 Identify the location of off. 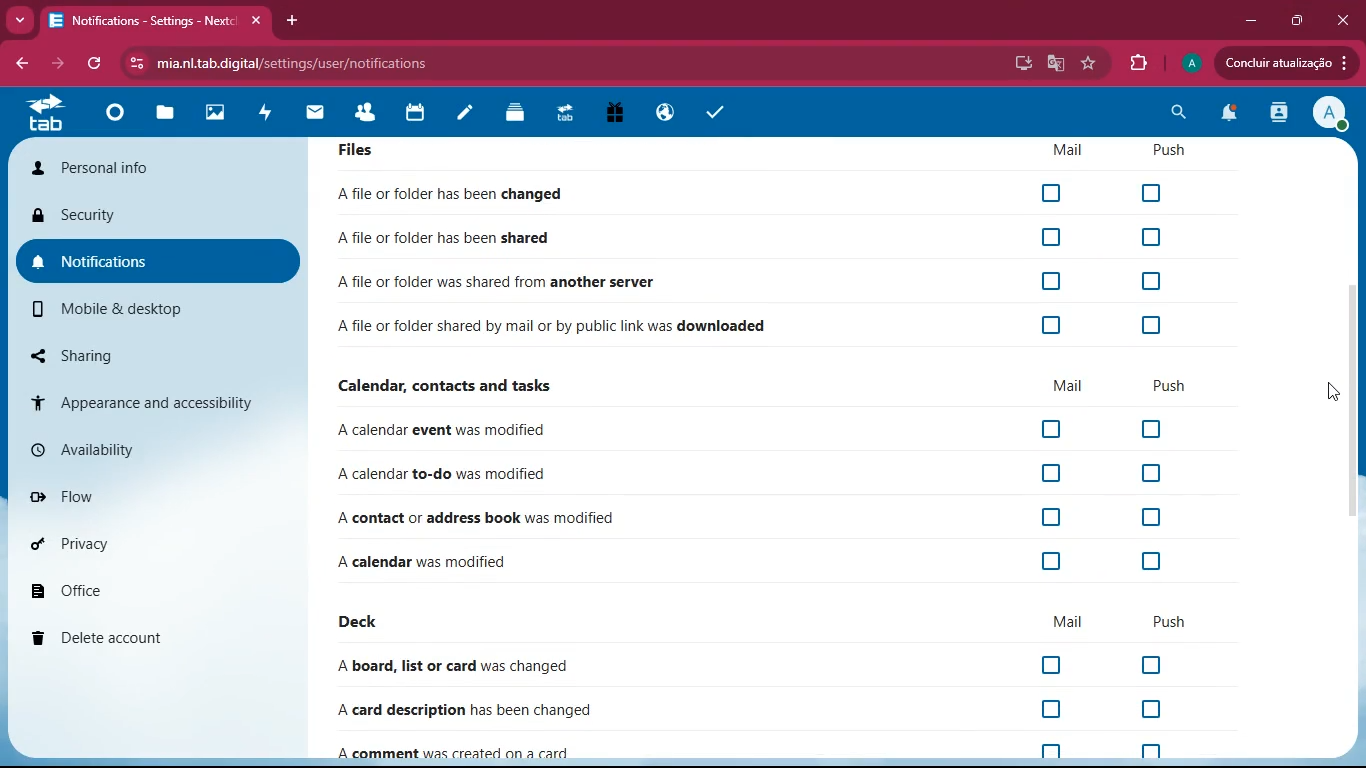
(1152, 472).